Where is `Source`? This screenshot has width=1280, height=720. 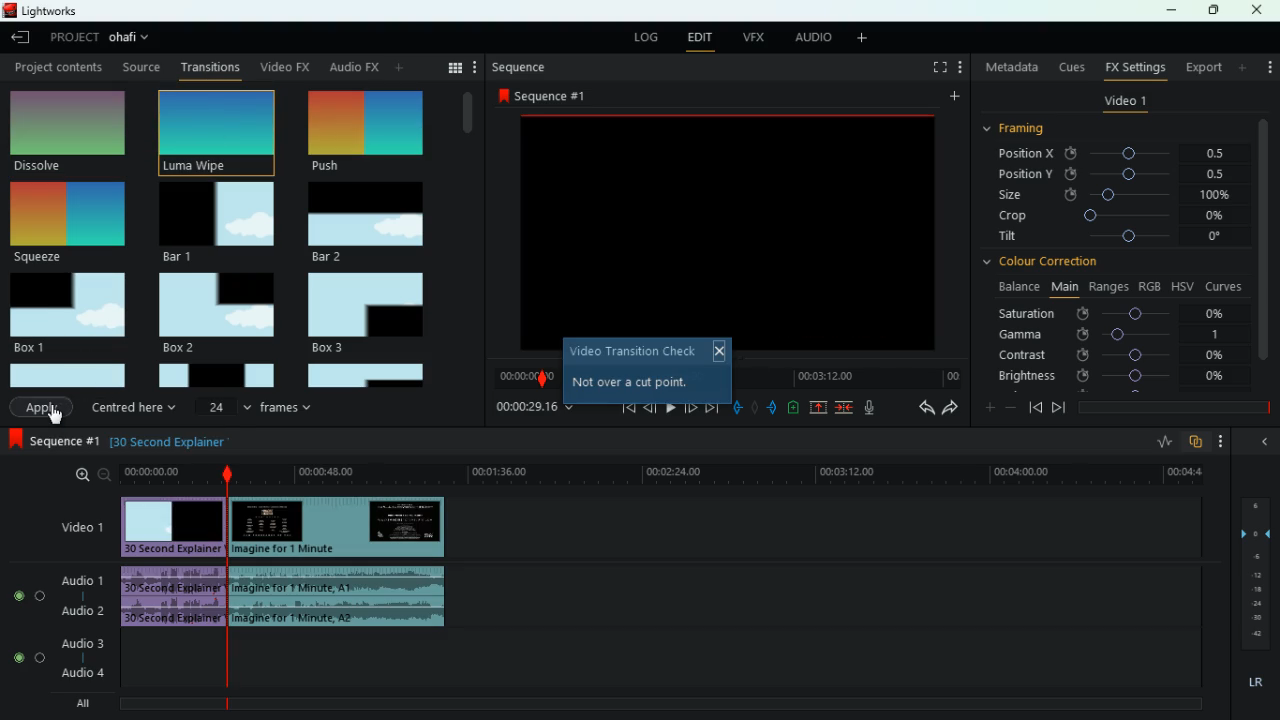 Source is located at coordinates (142, 67).